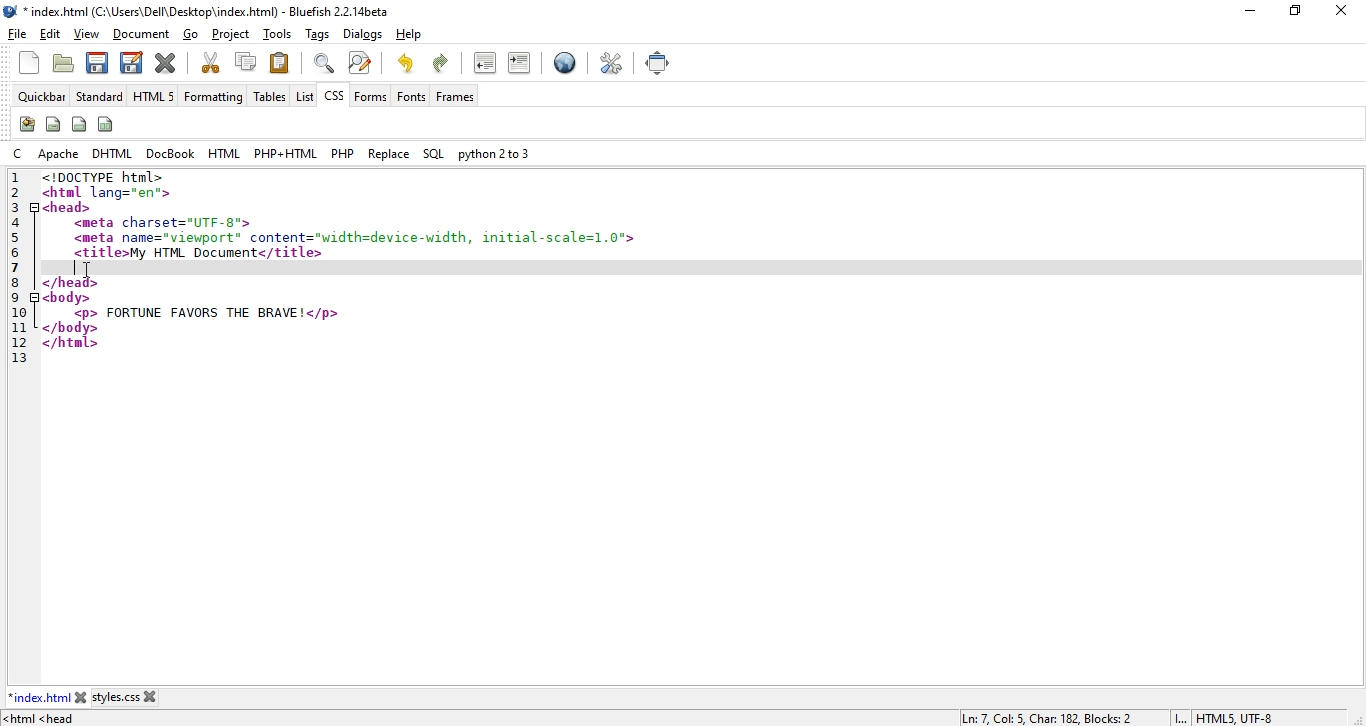  What do you see at coordinates (485, 62) in the screenshot?
I see `unindent` at bounding box center [485, 62].